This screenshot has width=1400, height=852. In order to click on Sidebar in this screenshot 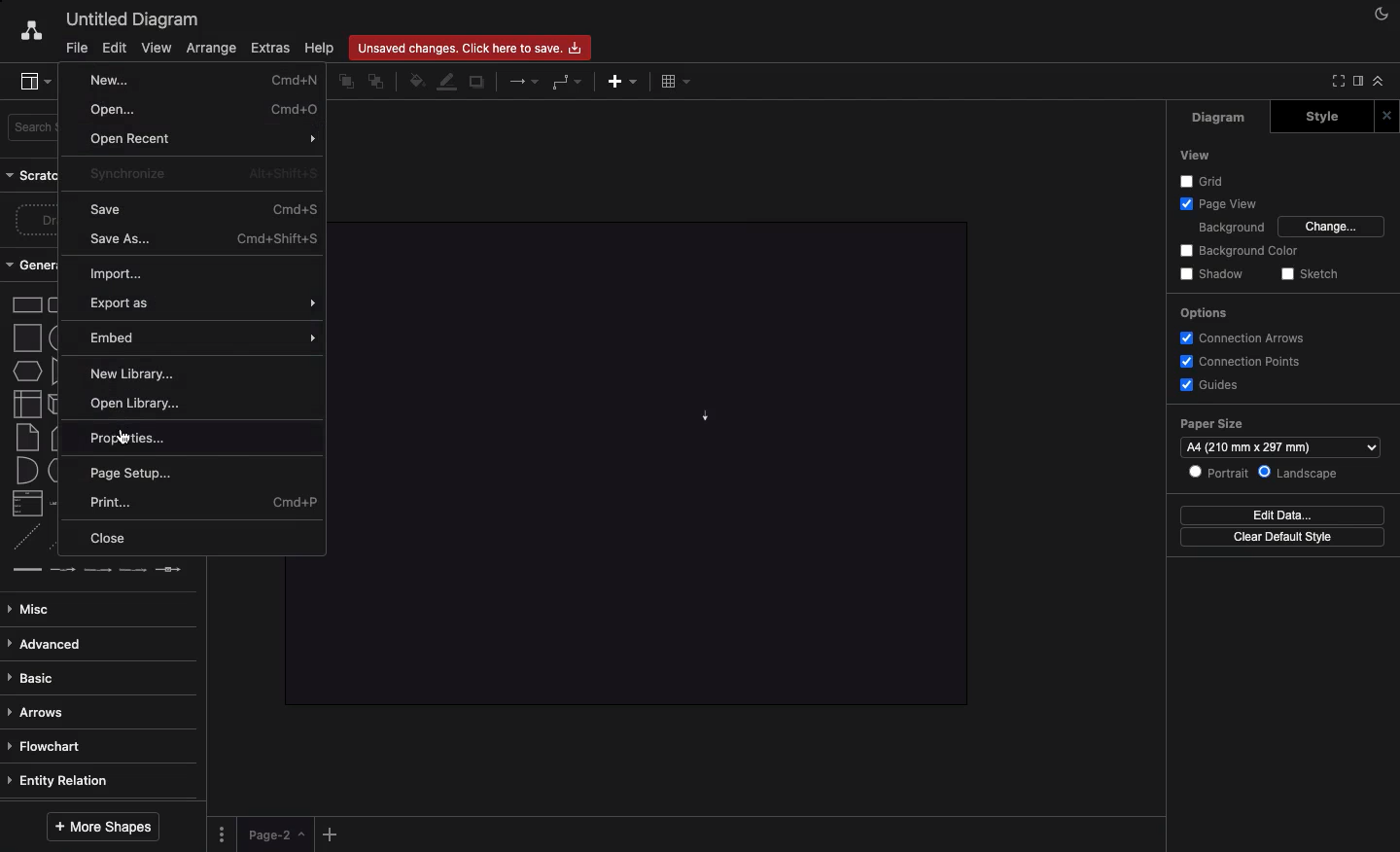, I will do `click(1356, 83)`.